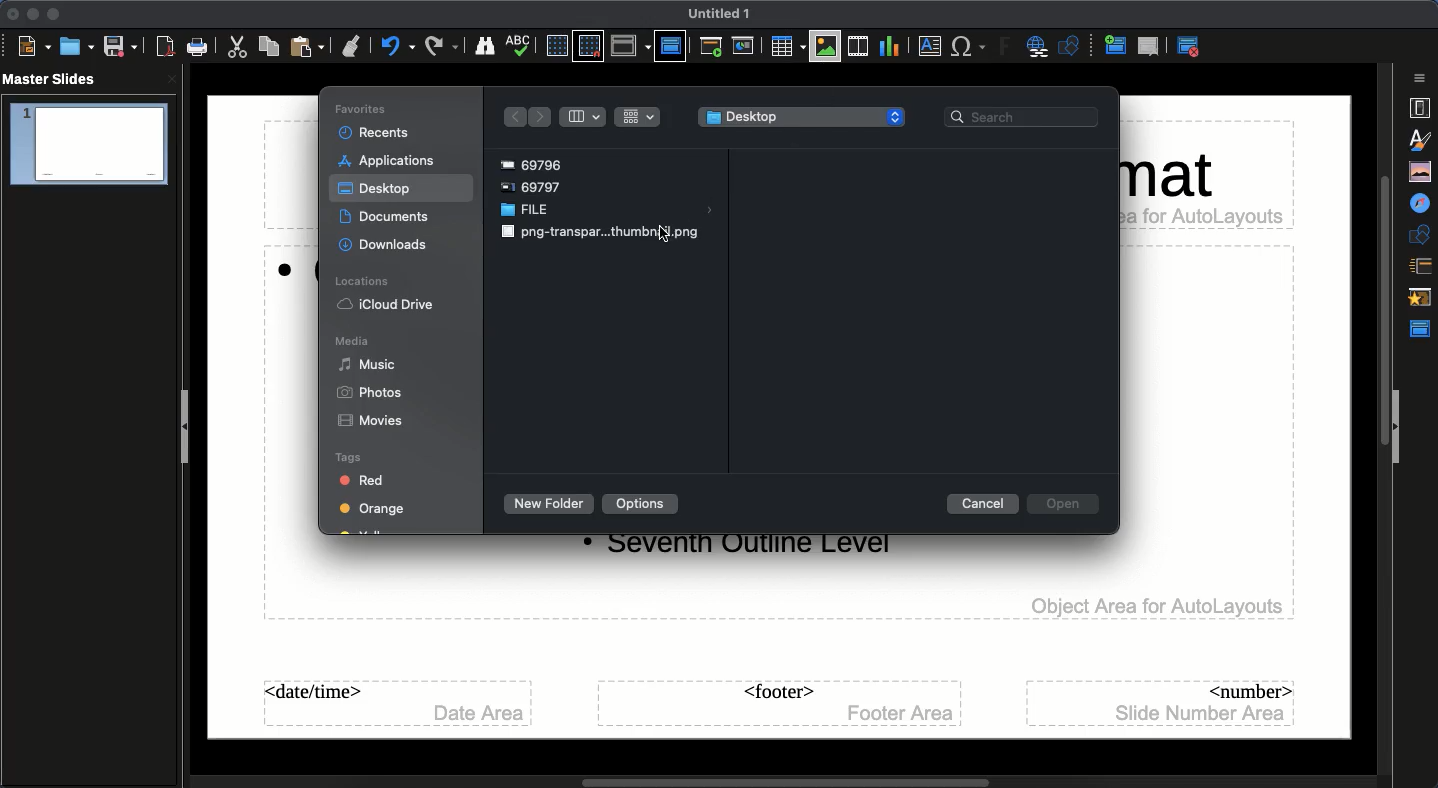 The image size is (1438, 788). Describe the element at coordinates (588, 47) in the screenshot. I see `Snap grid` at that location.